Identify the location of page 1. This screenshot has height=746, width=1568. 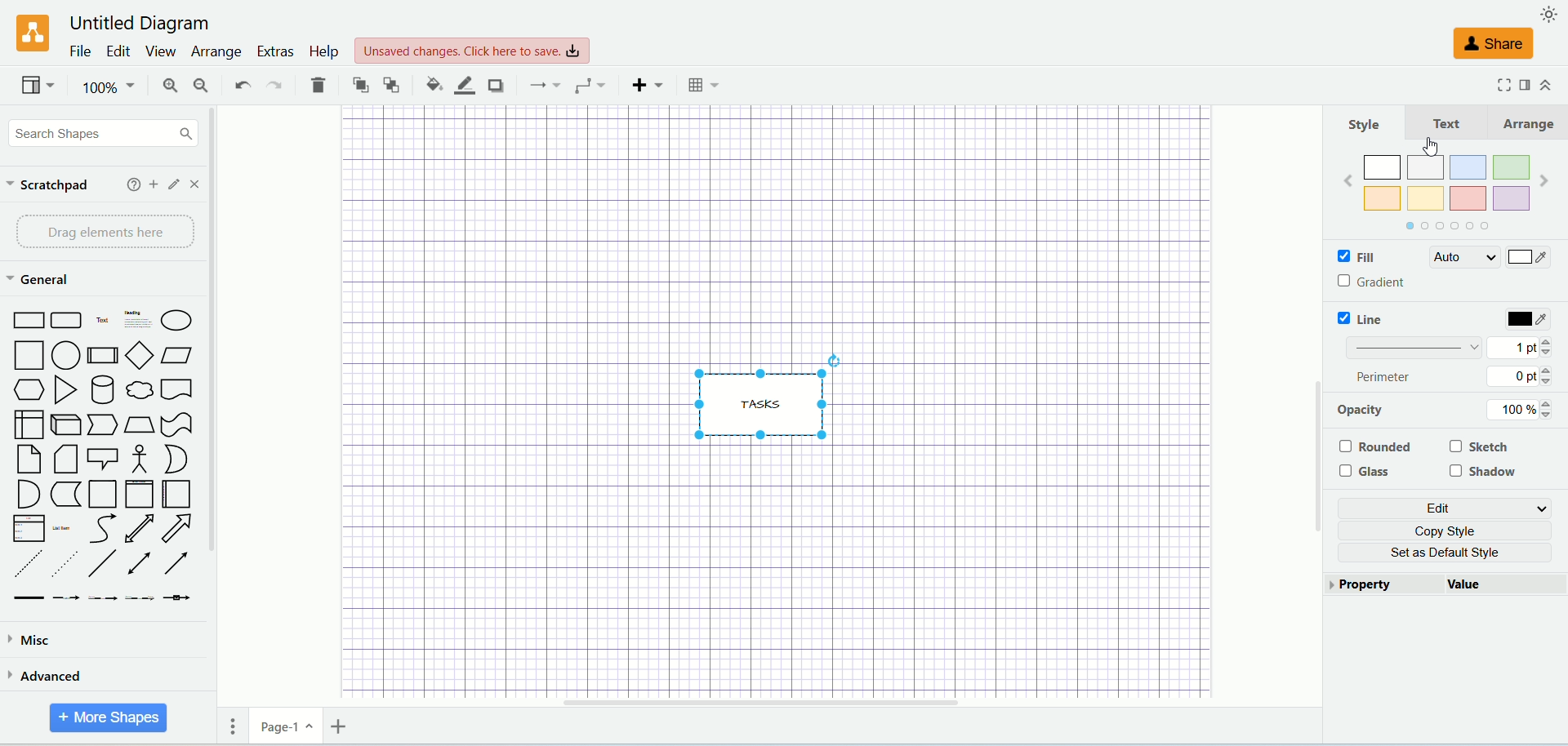
(286, 726).